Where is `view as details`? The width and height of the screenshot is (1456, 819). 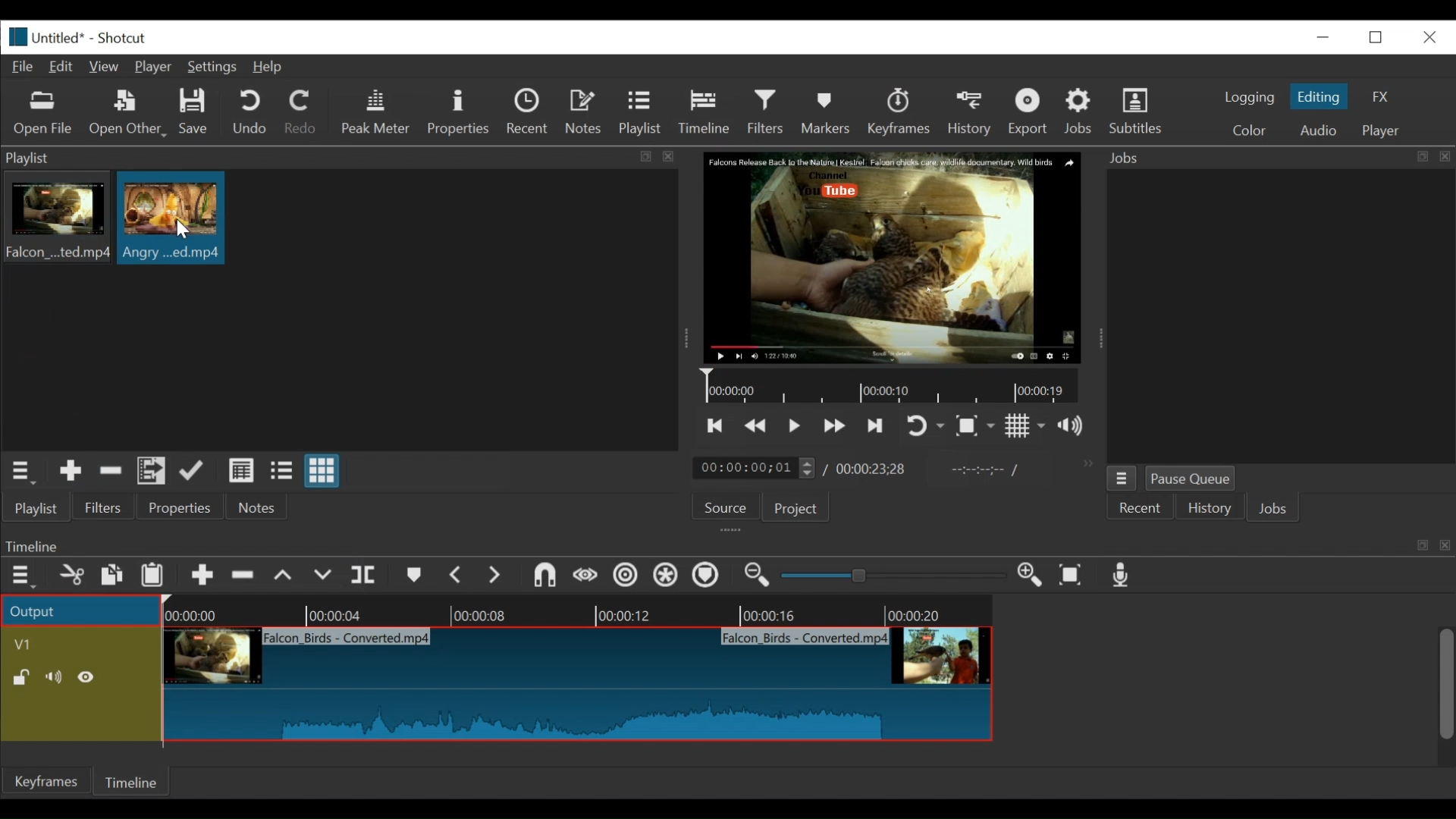 view as details is located at coordinates (242, 470).